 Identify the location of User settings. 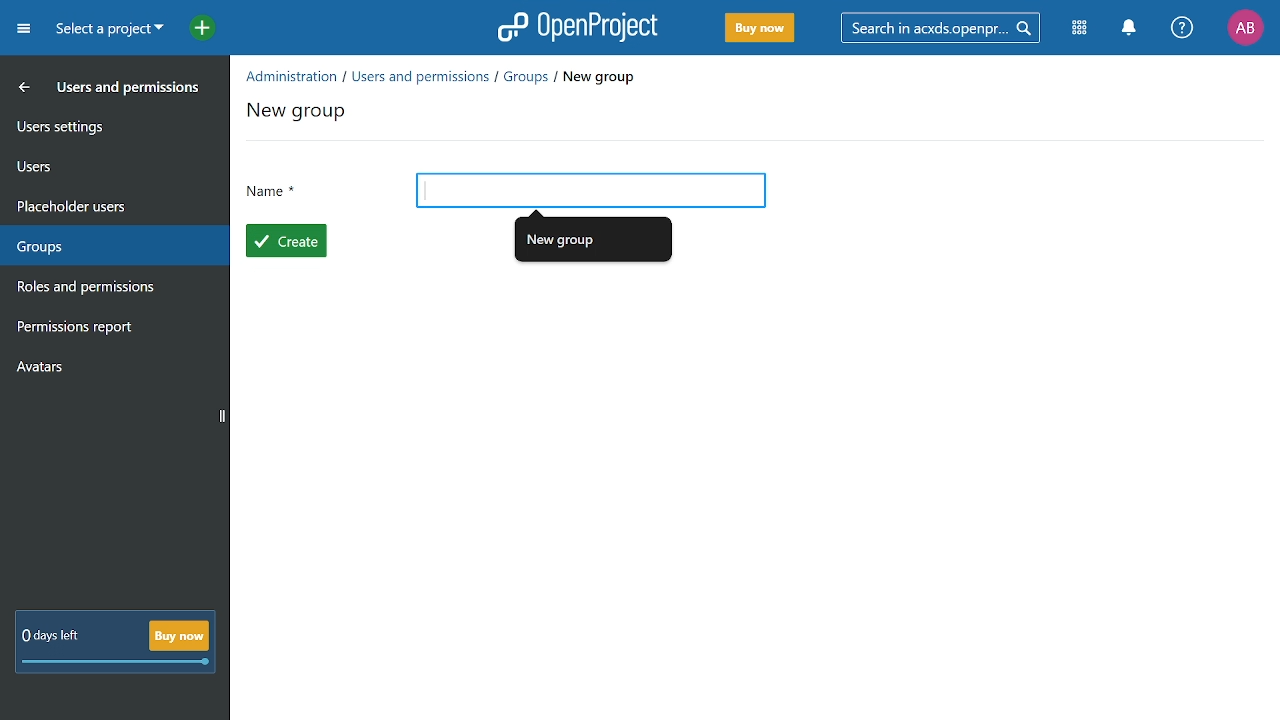
(103, 125).